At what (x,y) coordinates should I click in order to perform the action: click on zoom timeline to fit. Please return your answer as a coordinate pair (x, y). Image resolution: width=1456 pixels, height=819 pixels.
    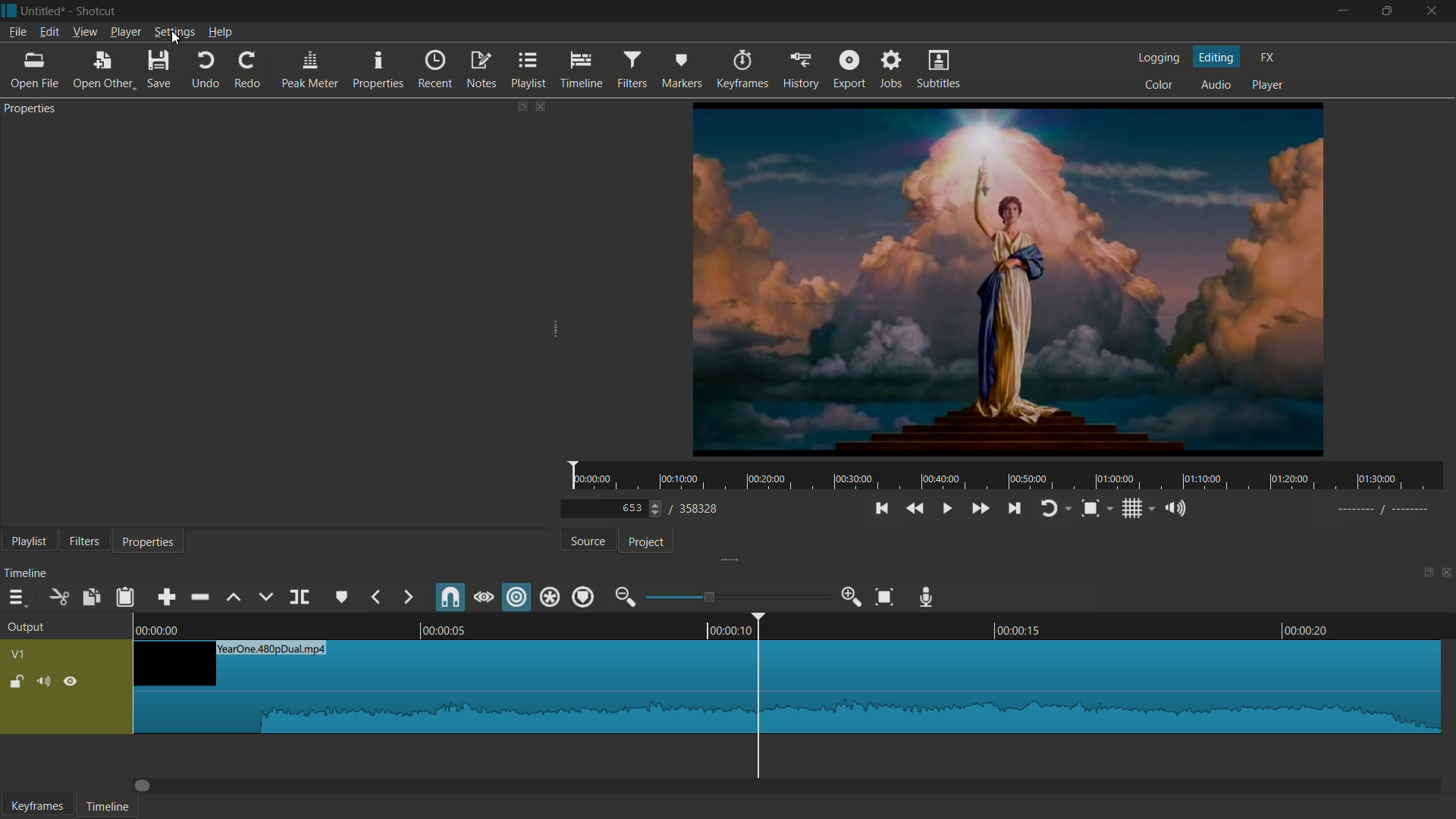
    Looking at the image, I should click on (883, 598).